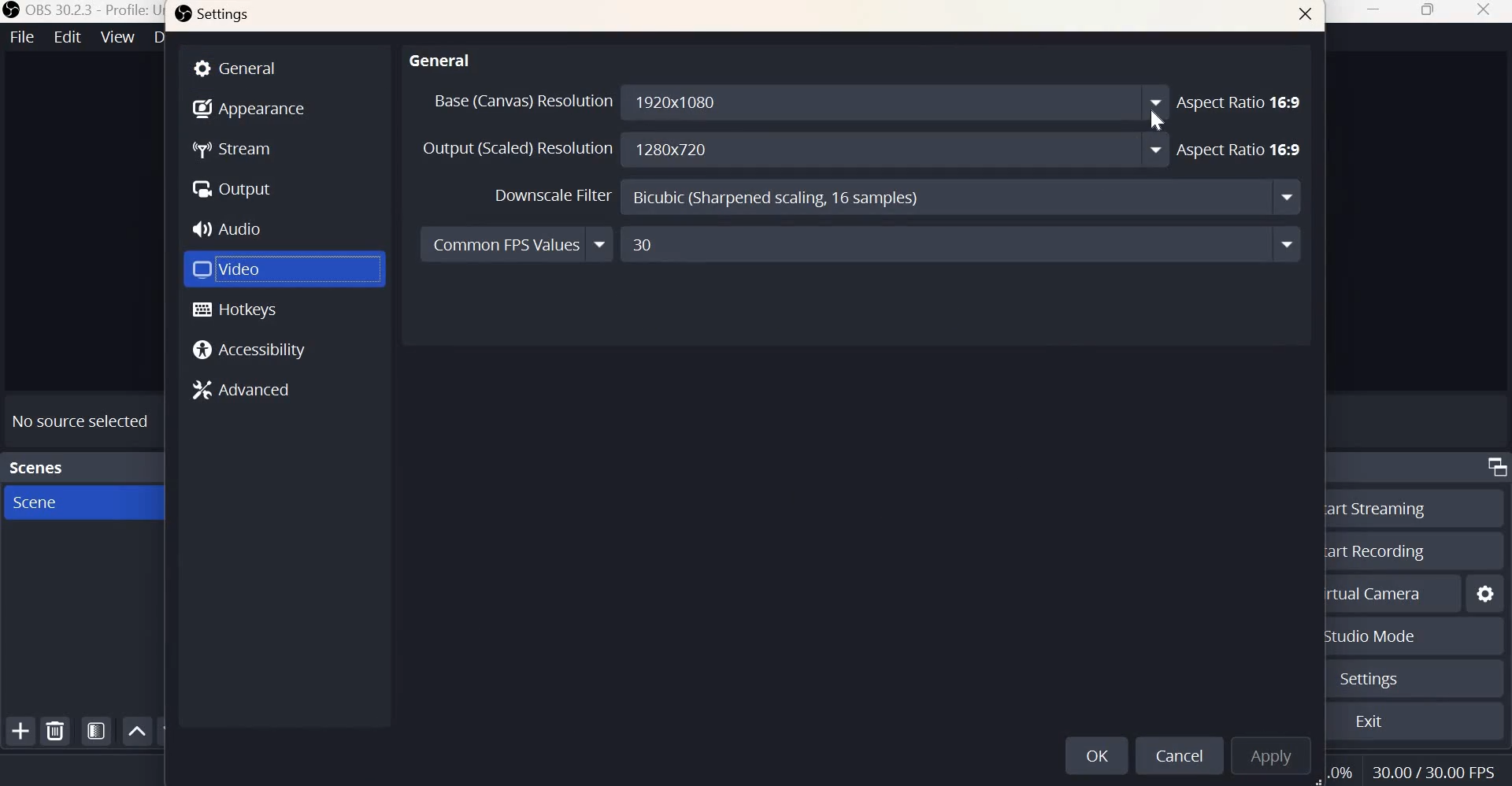 The image size is (1512, 786). Describe the element at coordinates (96, 730) in the screenshot. I see `Open scene filters` at that location.